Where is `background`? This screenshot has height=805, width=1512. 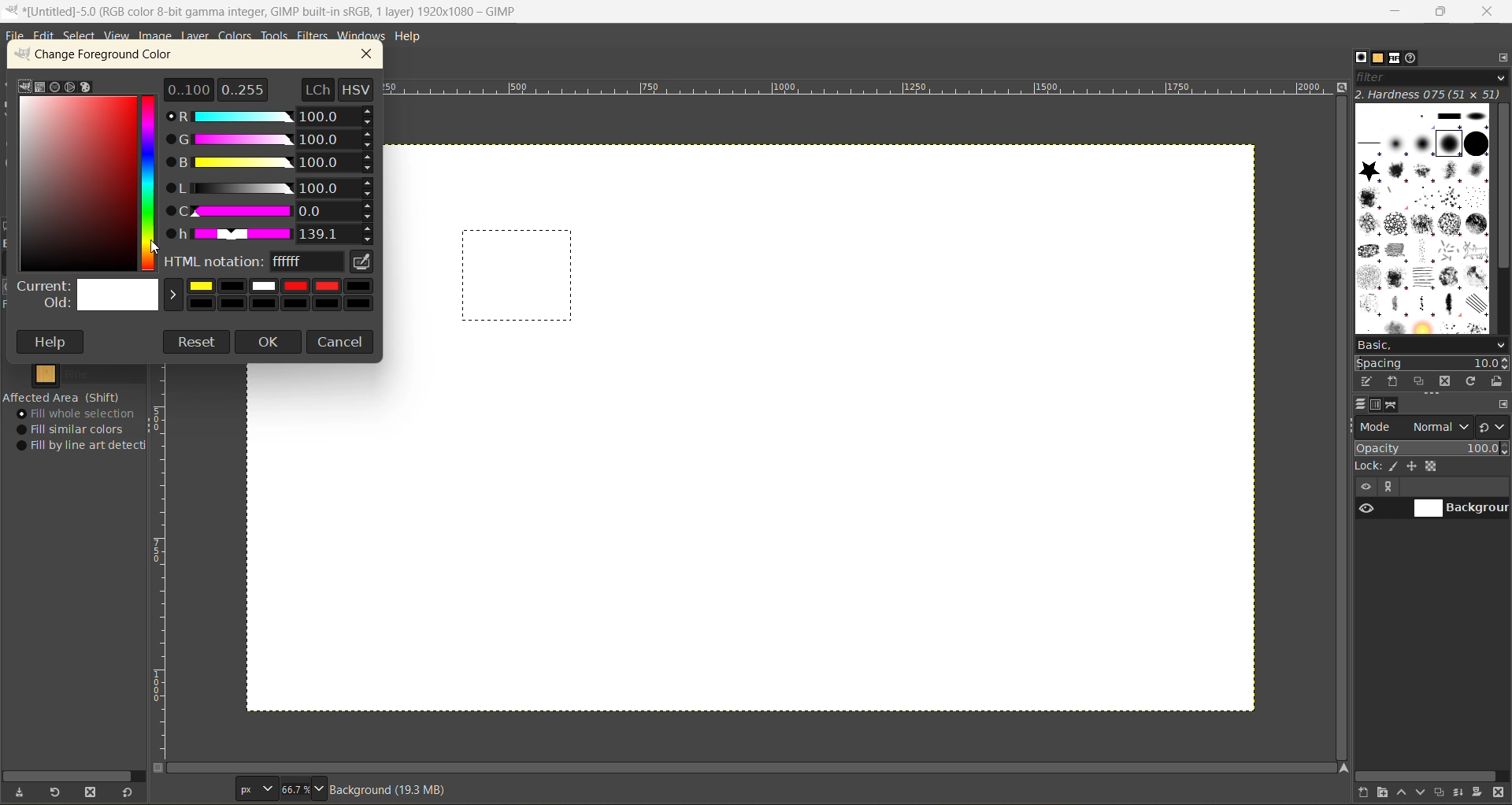
background is located at coordinates (1461, 509).